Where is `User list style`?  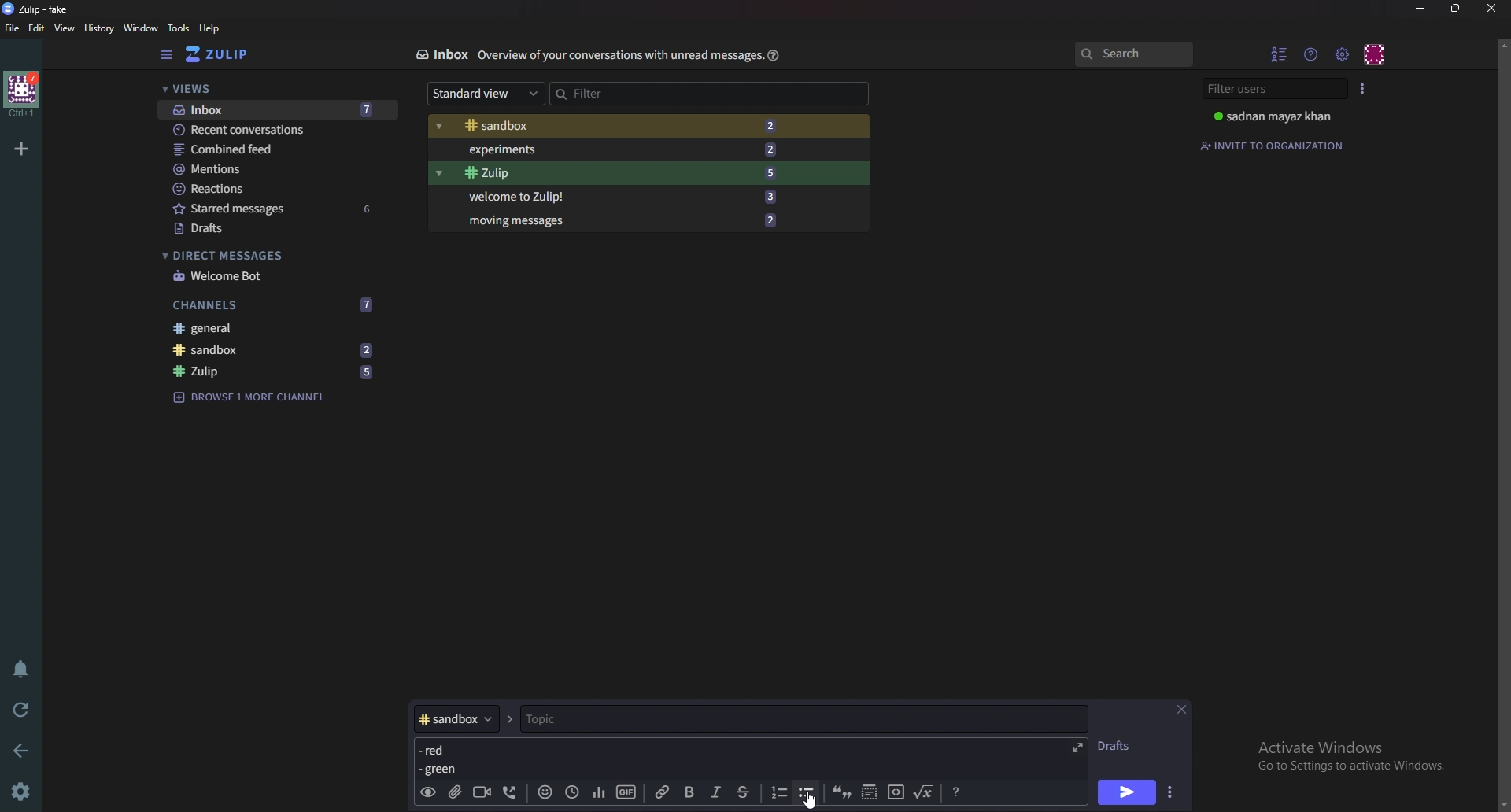 User list style is located at coordinates (1362, 88).